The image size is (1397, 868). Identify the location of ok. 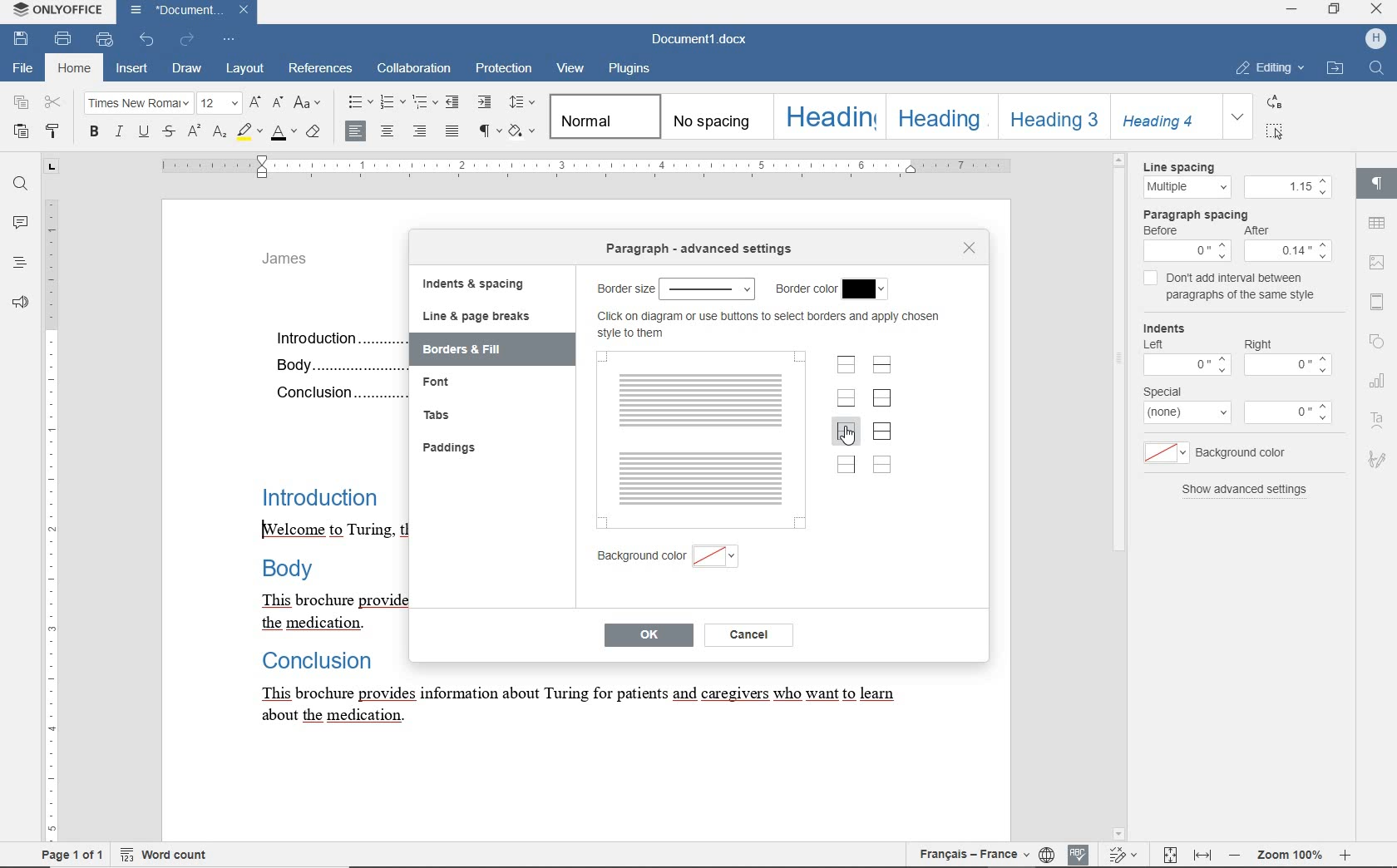
(648, 637).